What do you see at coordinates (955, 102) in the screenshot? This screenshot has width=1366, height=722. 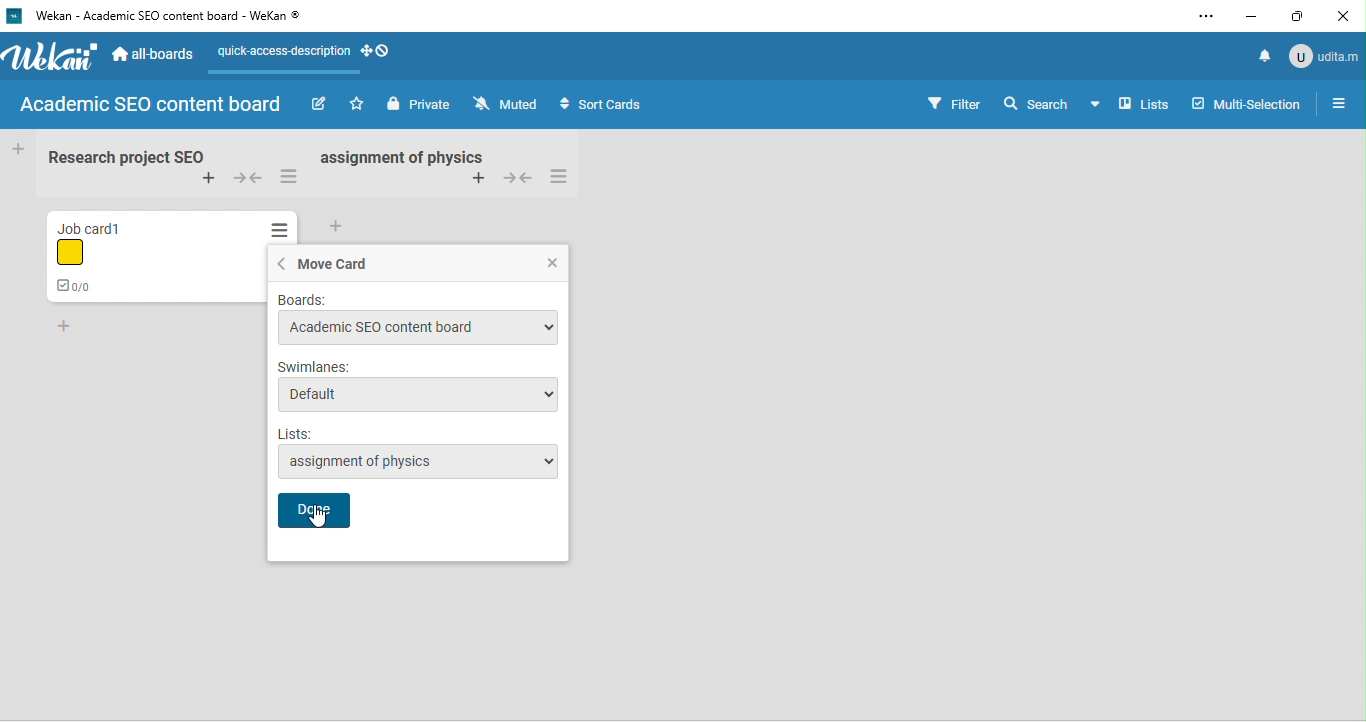 I see `filter` at bounding box center [955, 102].